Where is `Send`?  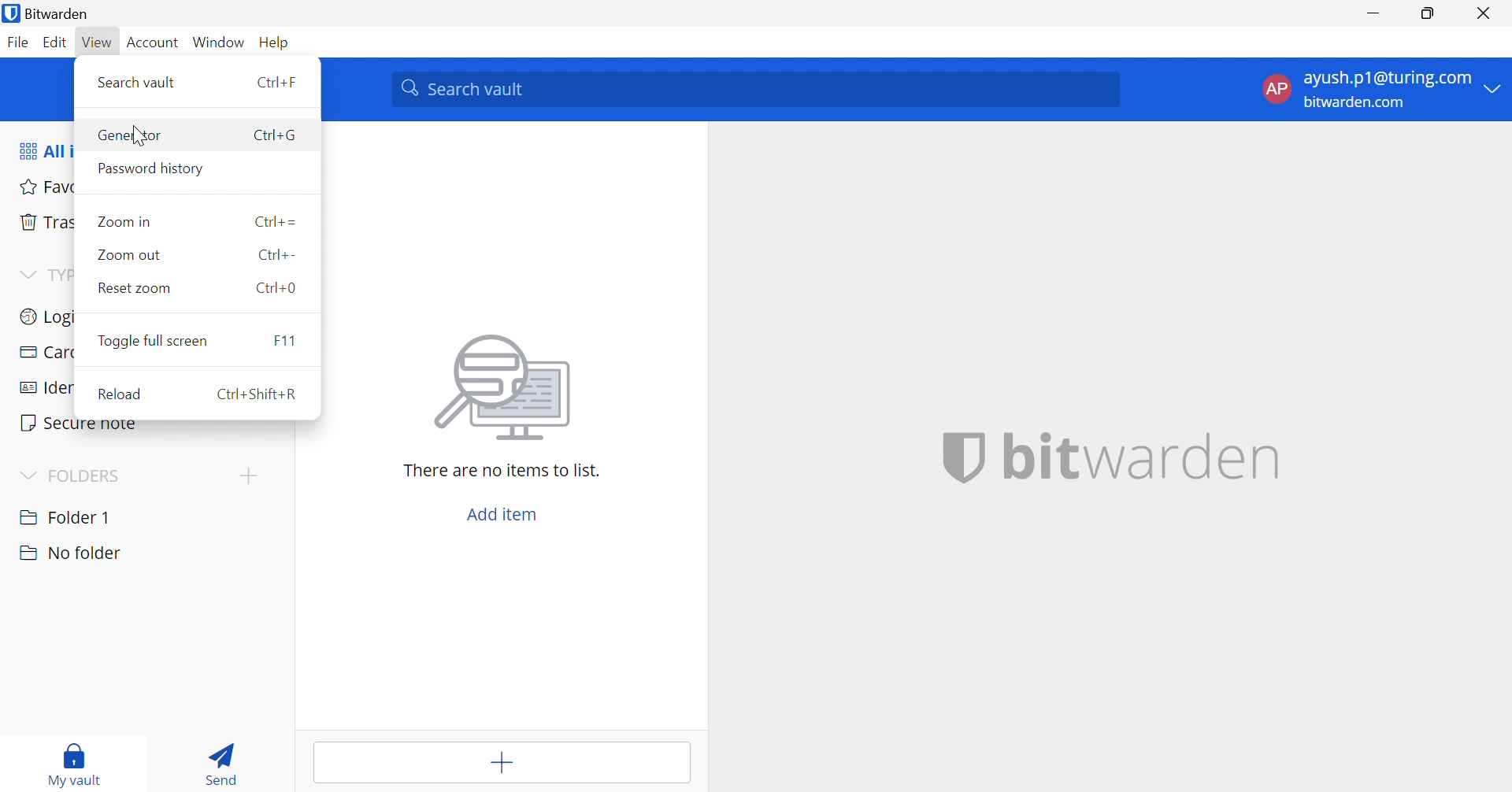
Send is located at coordinates (224, 762).